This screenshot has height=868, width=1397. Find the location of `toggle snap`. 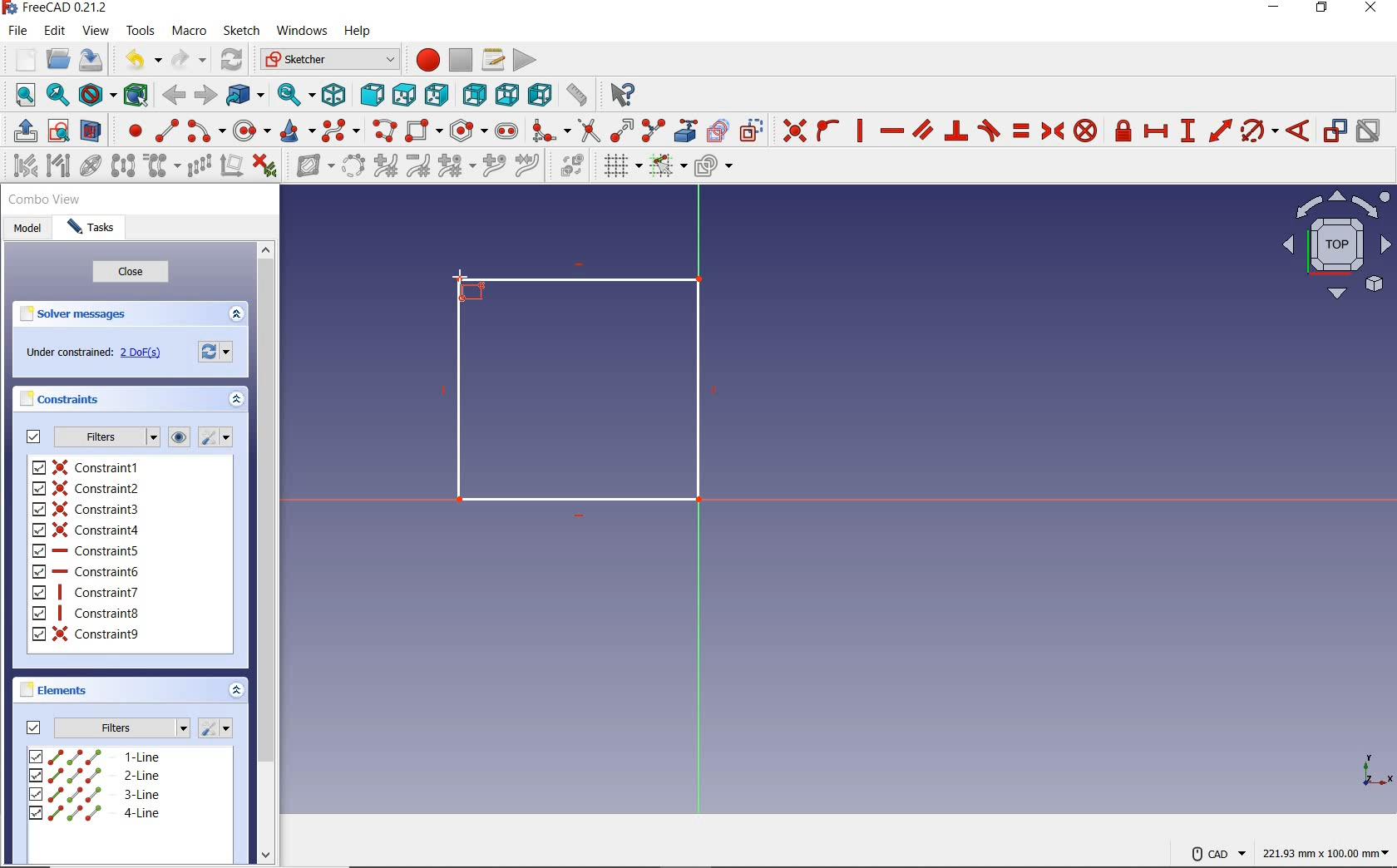

toggle snap is located at coordinates (668, 167).